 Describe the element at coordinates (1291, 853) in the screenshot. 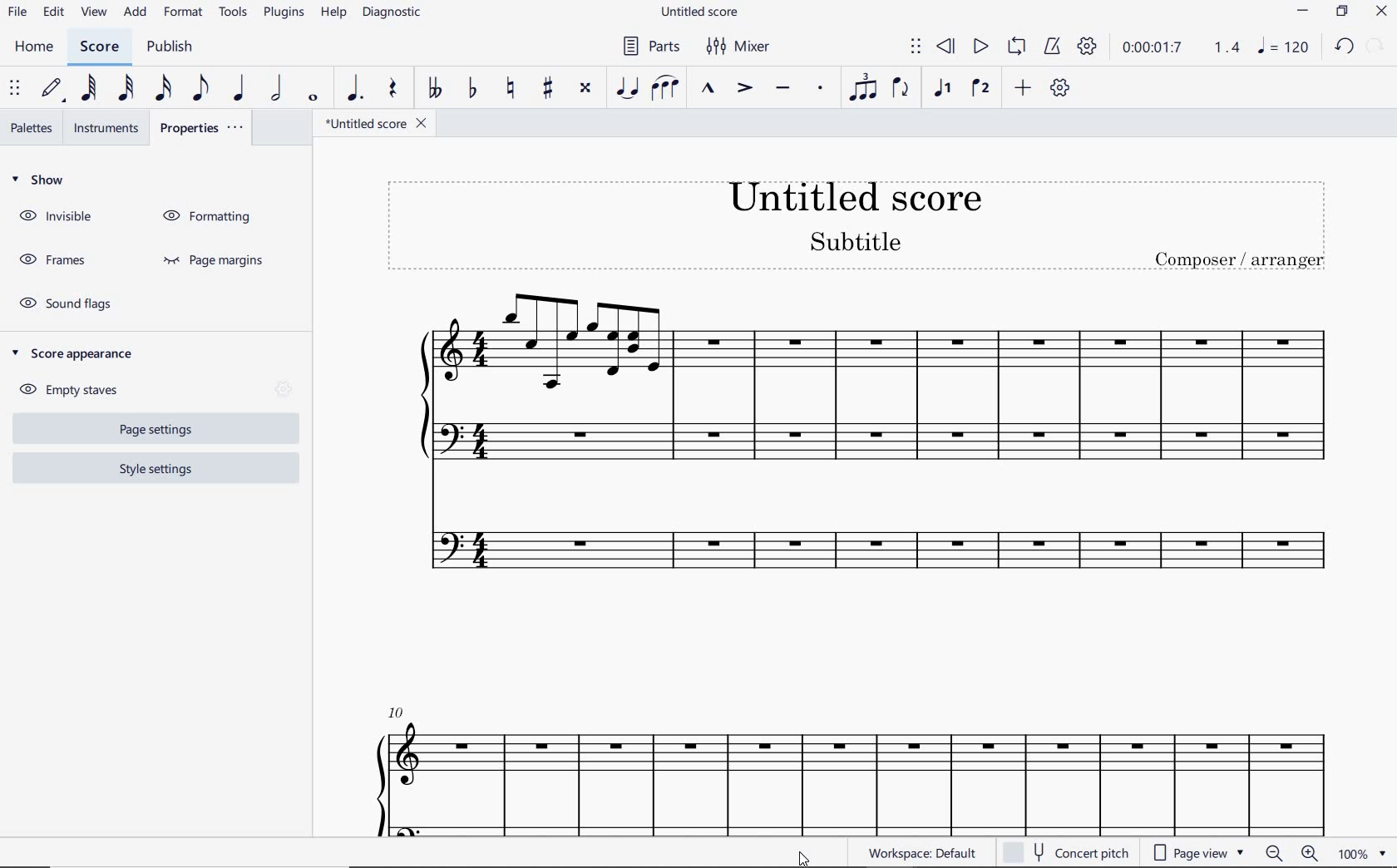

I see `zoom in or zoom out` at that location.